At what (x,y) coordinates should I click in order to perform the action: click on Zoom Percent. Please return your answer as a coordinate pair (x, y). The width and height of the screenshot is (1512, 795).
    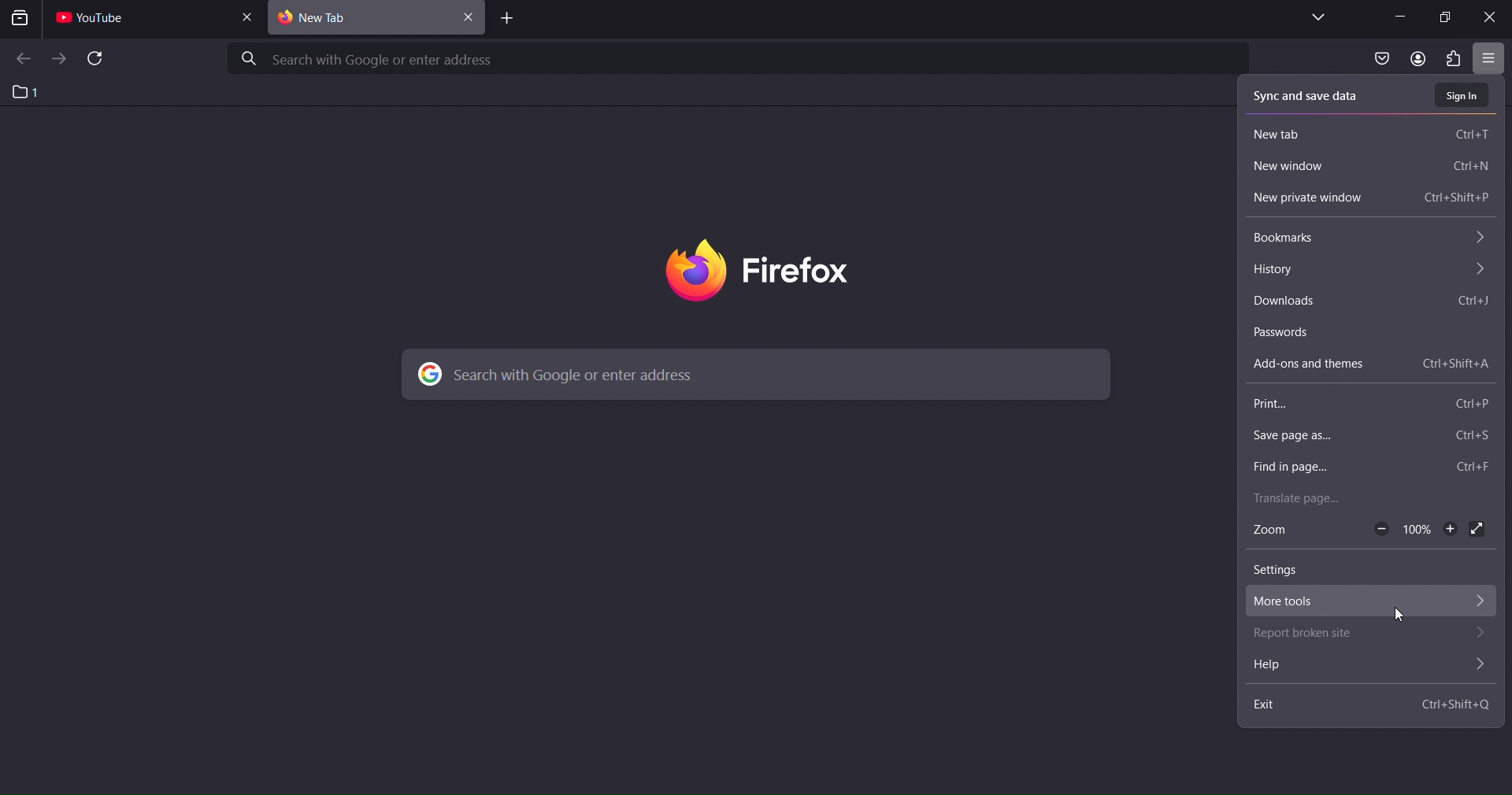
    Looking at the image, I should click on (1418, 530).